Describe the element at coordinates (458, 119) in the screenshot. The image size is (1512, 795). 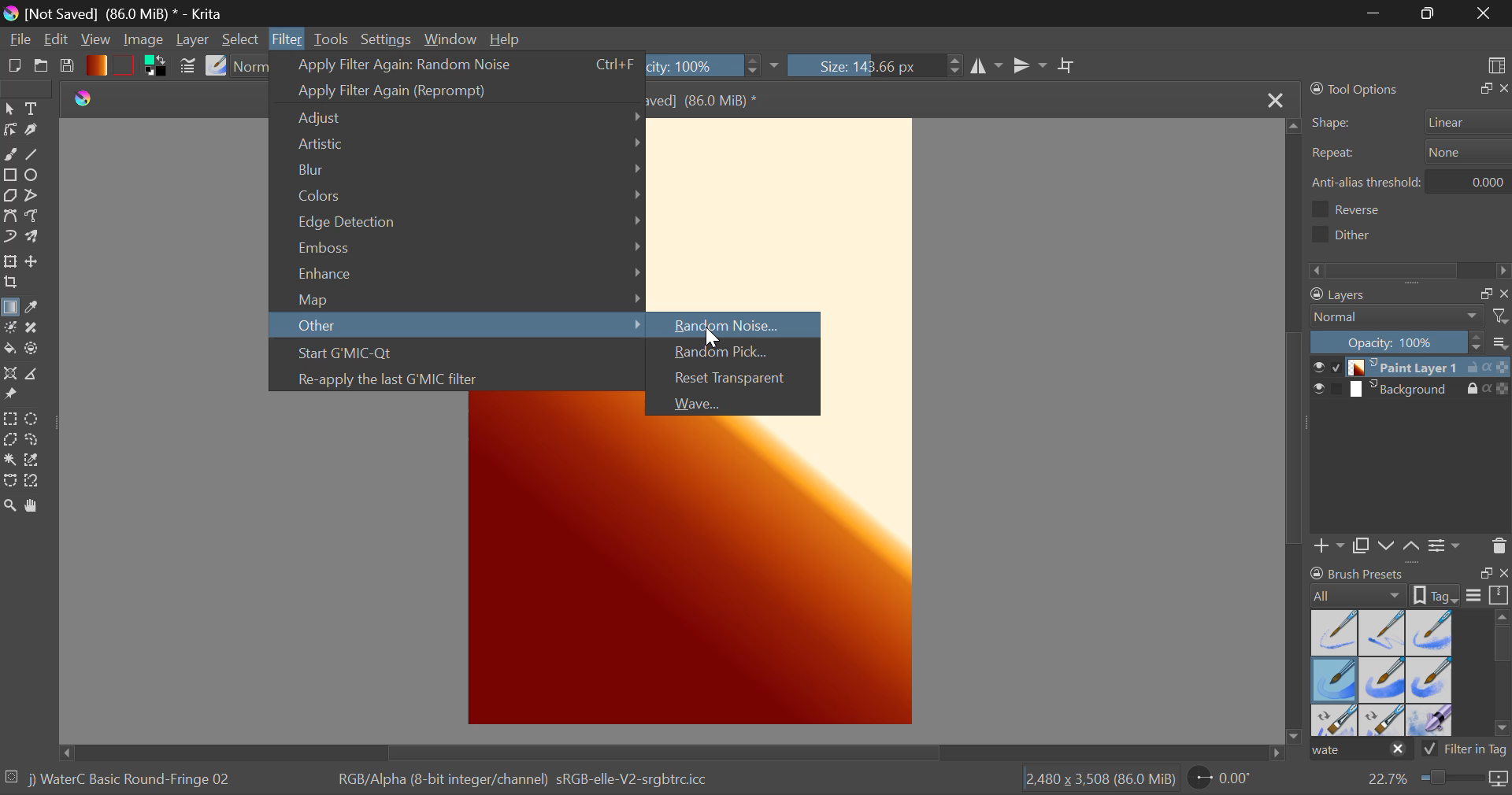
I see `Adjust` at that location.